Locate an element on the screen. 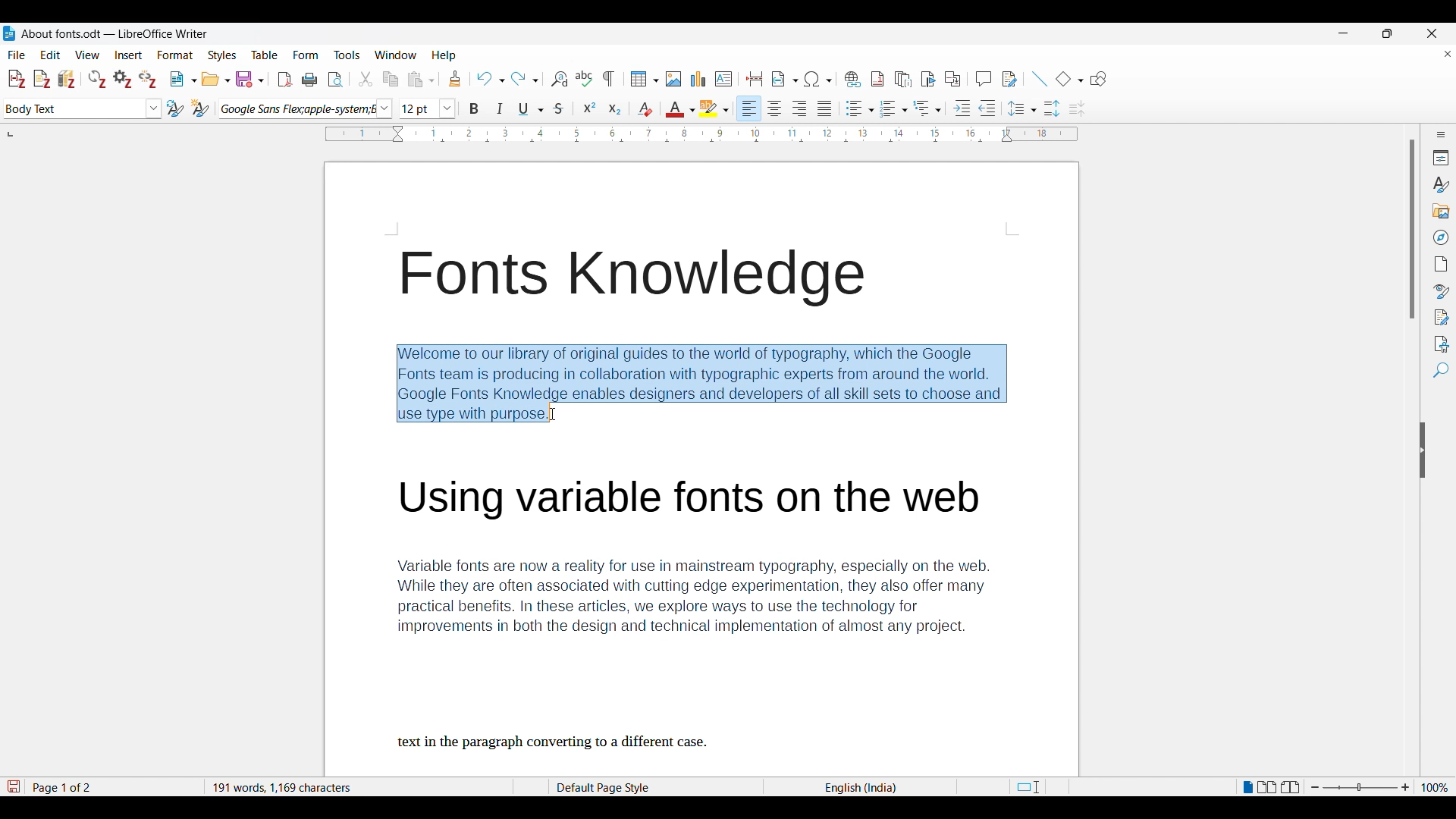  Paste is located at coordinates (421, 79).